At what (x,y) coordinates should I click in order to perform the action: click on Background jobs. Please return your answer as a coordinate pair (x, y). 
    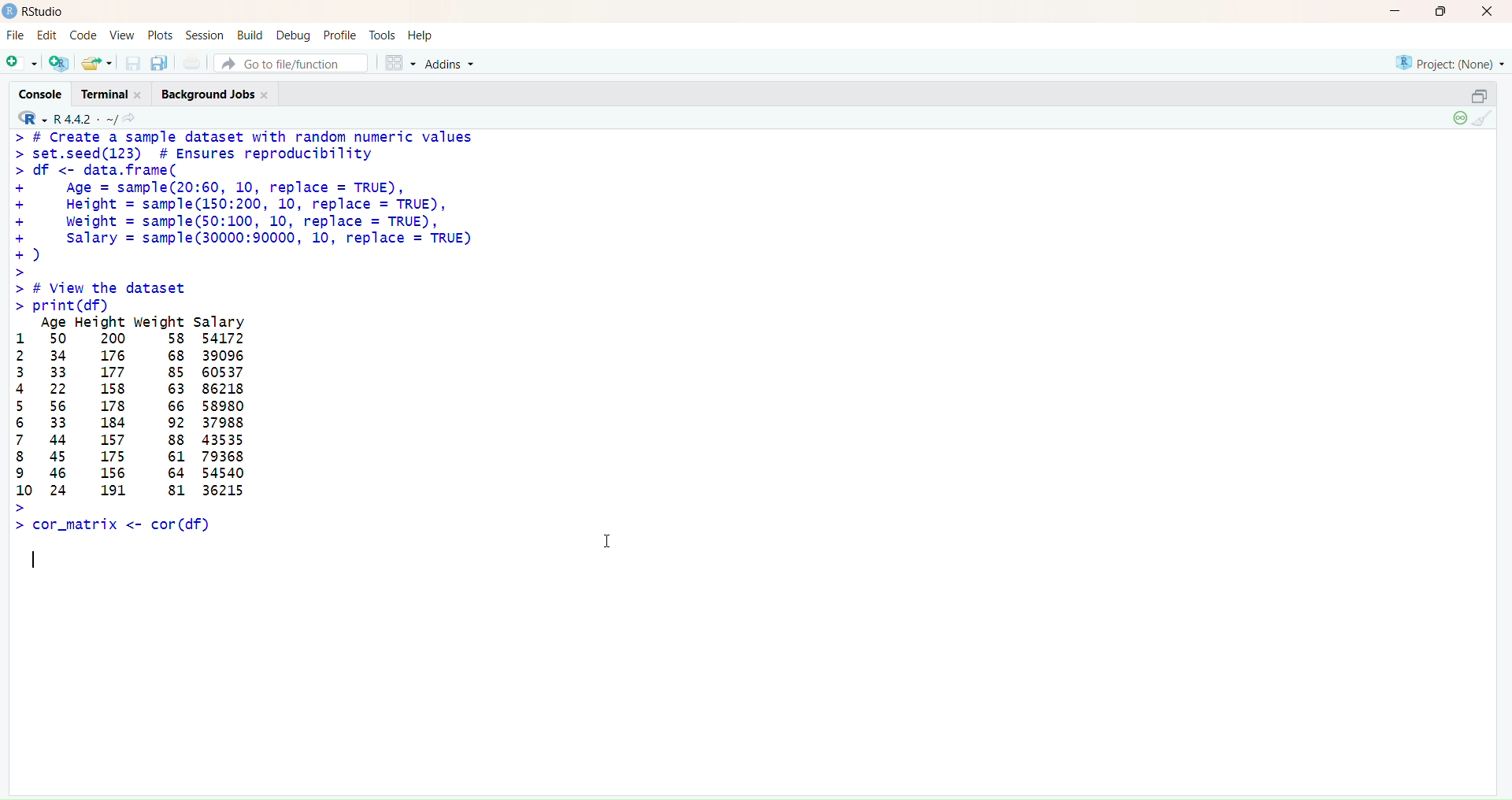
    Looking at the image, I should click on (217, 95).